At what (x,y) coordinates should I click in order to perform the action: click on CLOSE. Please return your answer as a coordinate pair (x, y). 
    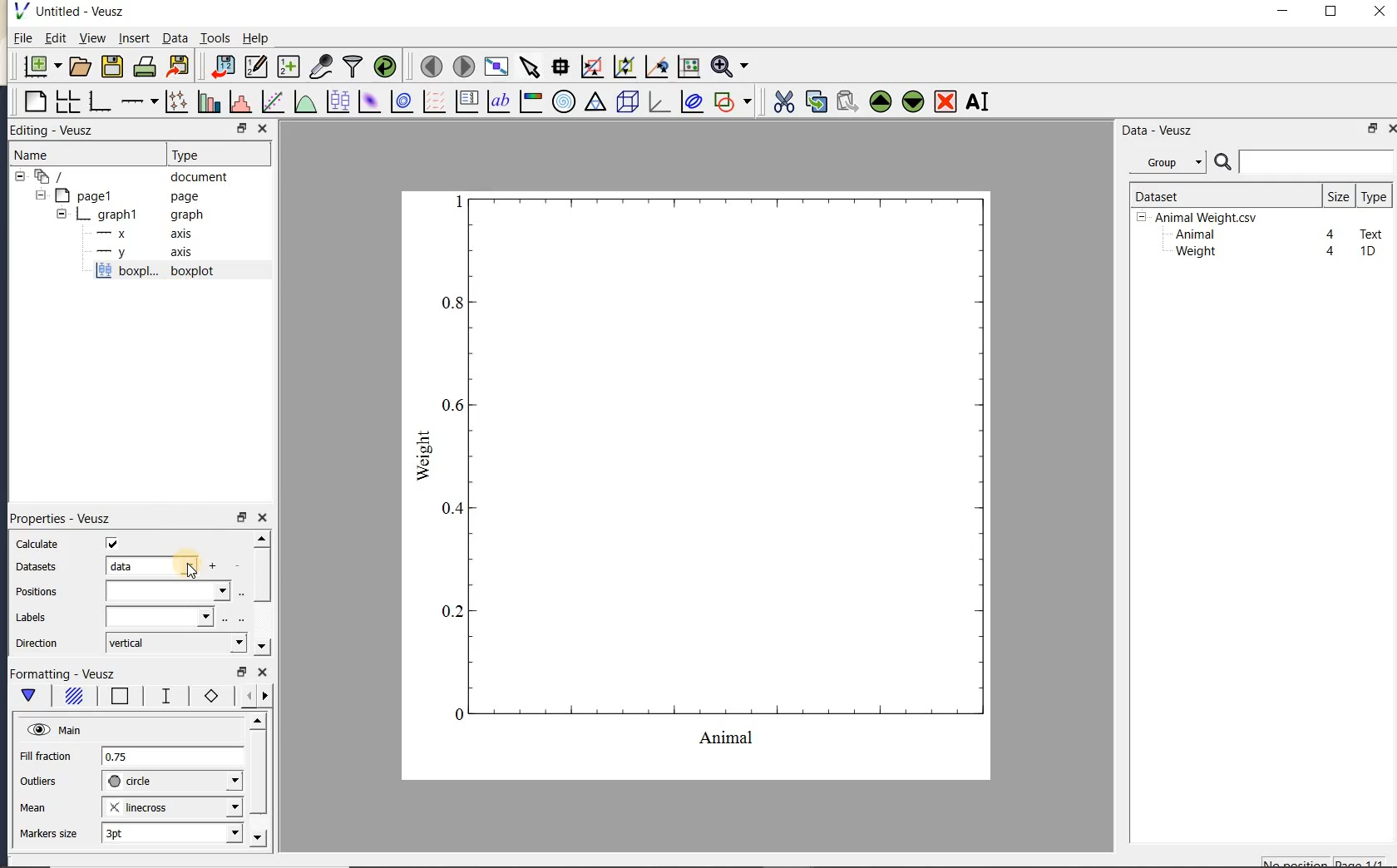
    Looking at the image, I should click on (262, 128).